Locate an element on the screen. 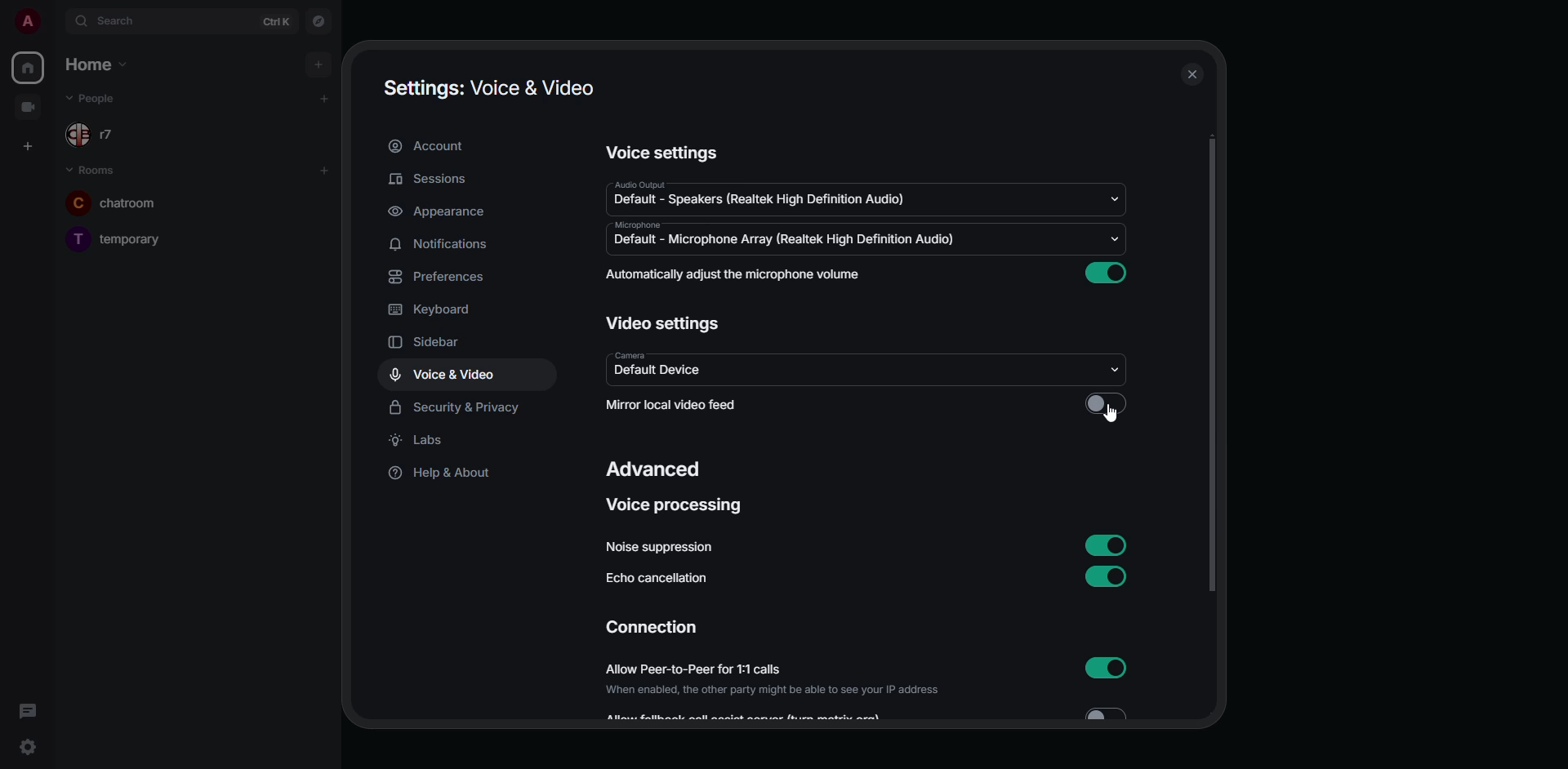  notifications is located at coordinates (447, 244).